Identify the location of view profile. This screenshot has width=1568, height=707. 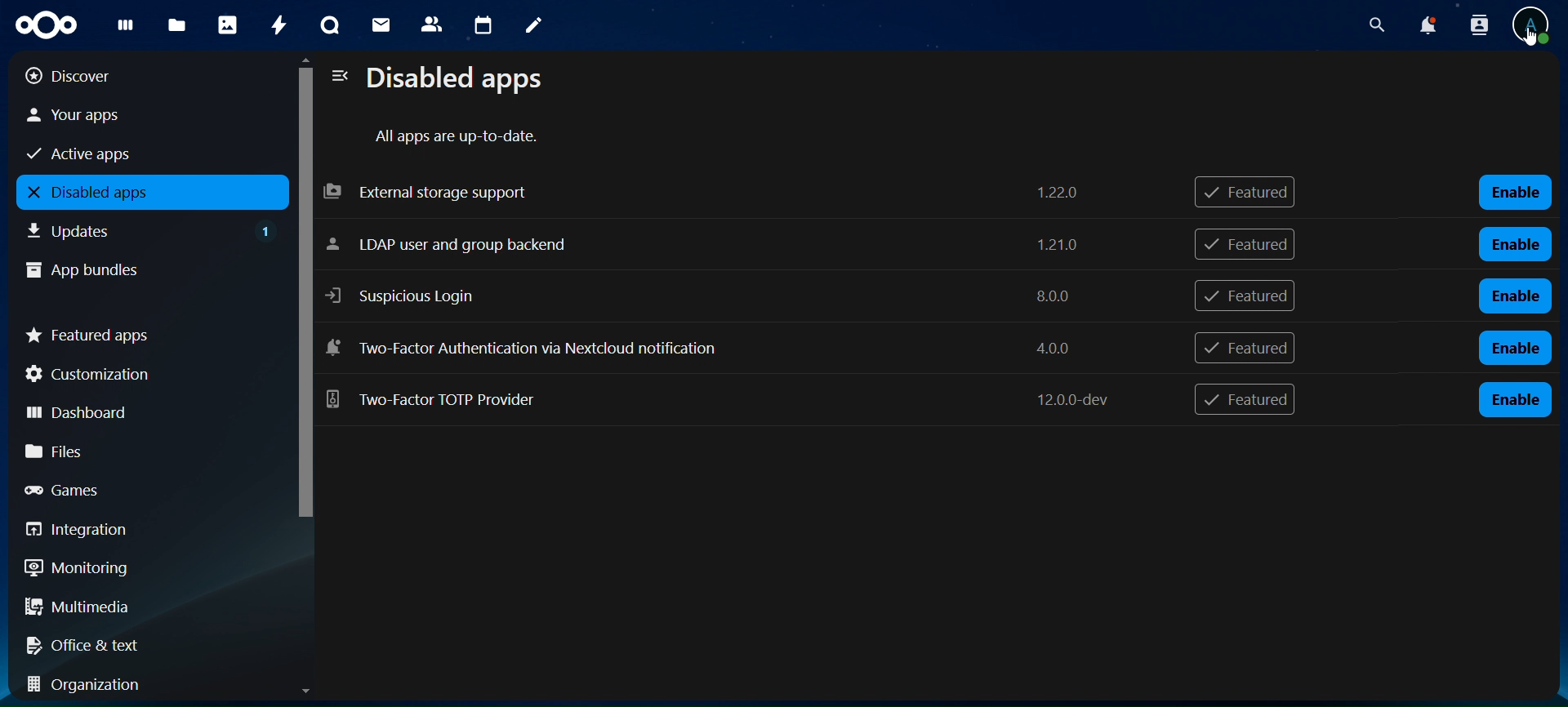
(1535, 15).